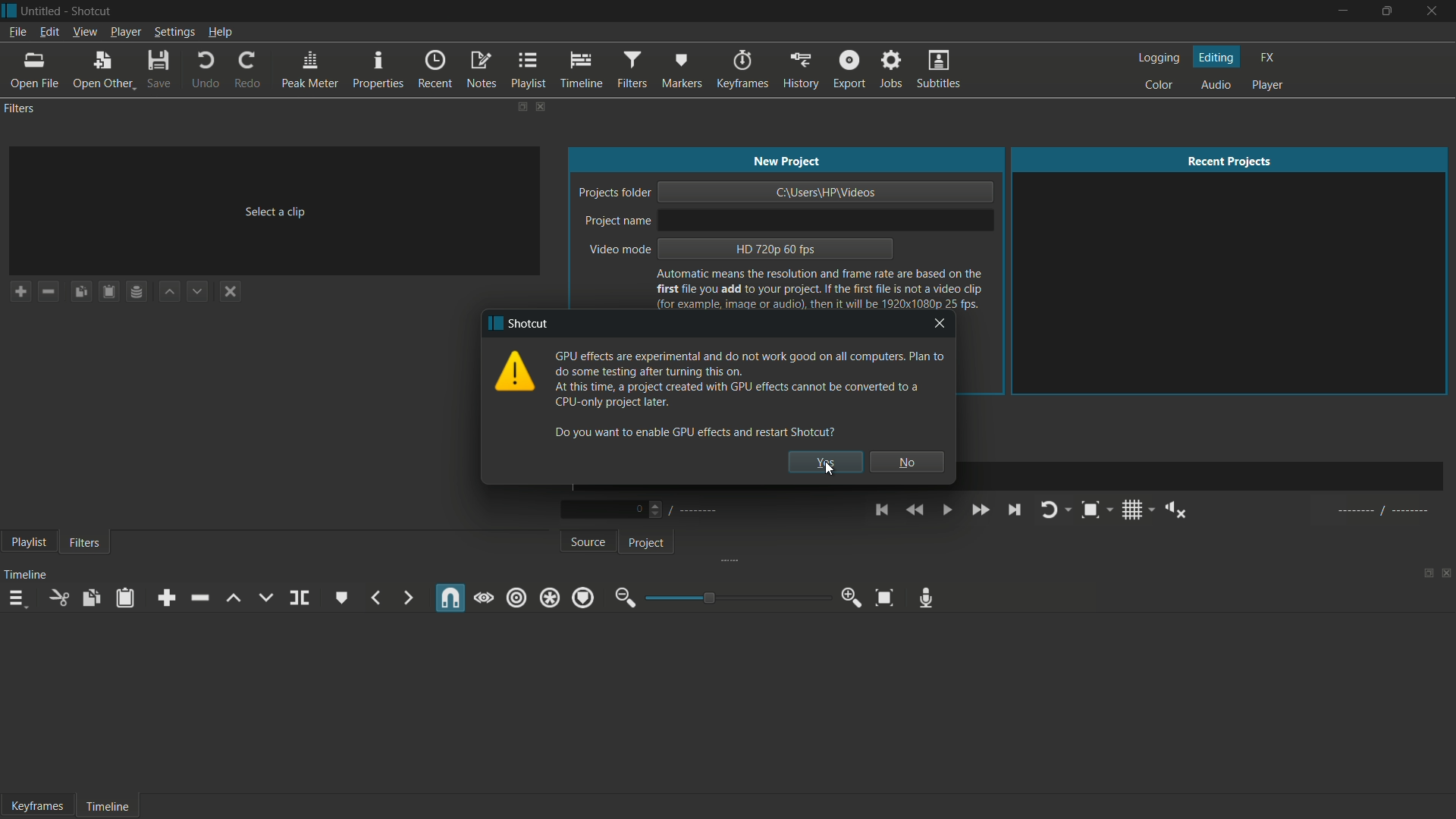 The width and height of the screenshot is (1456, 819). What do you see at coordinates (913, 509) in the screenshot?
I see `quickly play backward` at bounding box center [913, 509].